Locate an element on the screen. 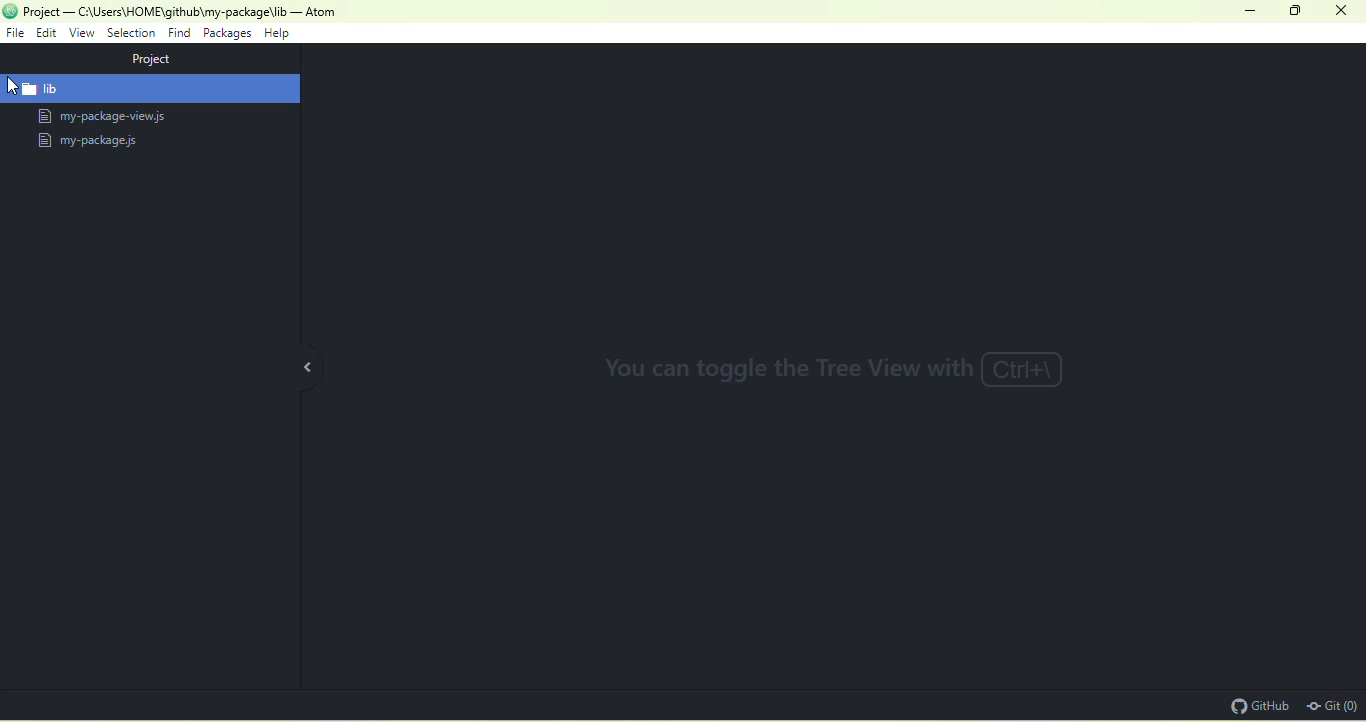  collapse is located at coordinates (307, 363).